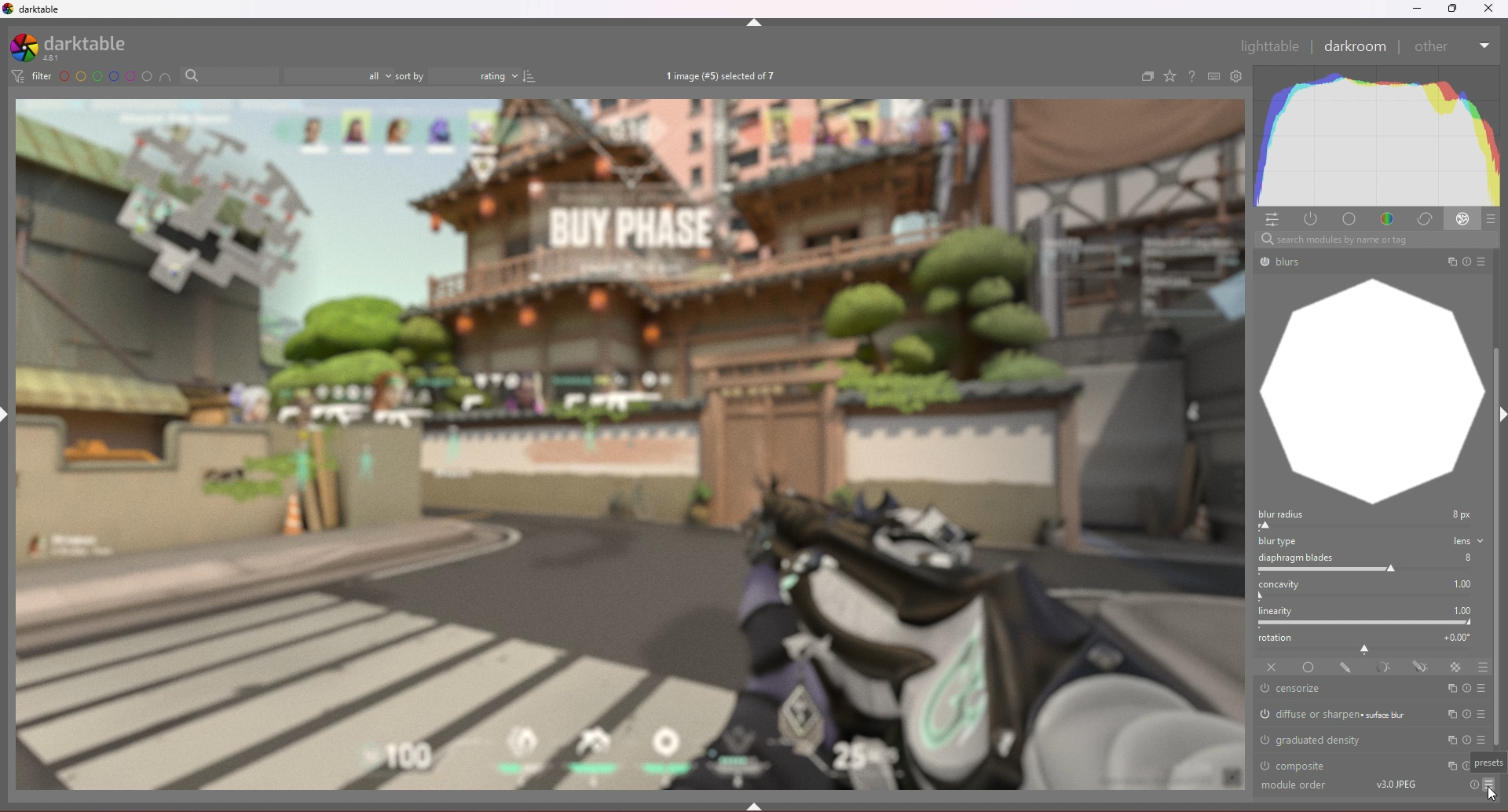  I want to click on help, so click(1191, 76).